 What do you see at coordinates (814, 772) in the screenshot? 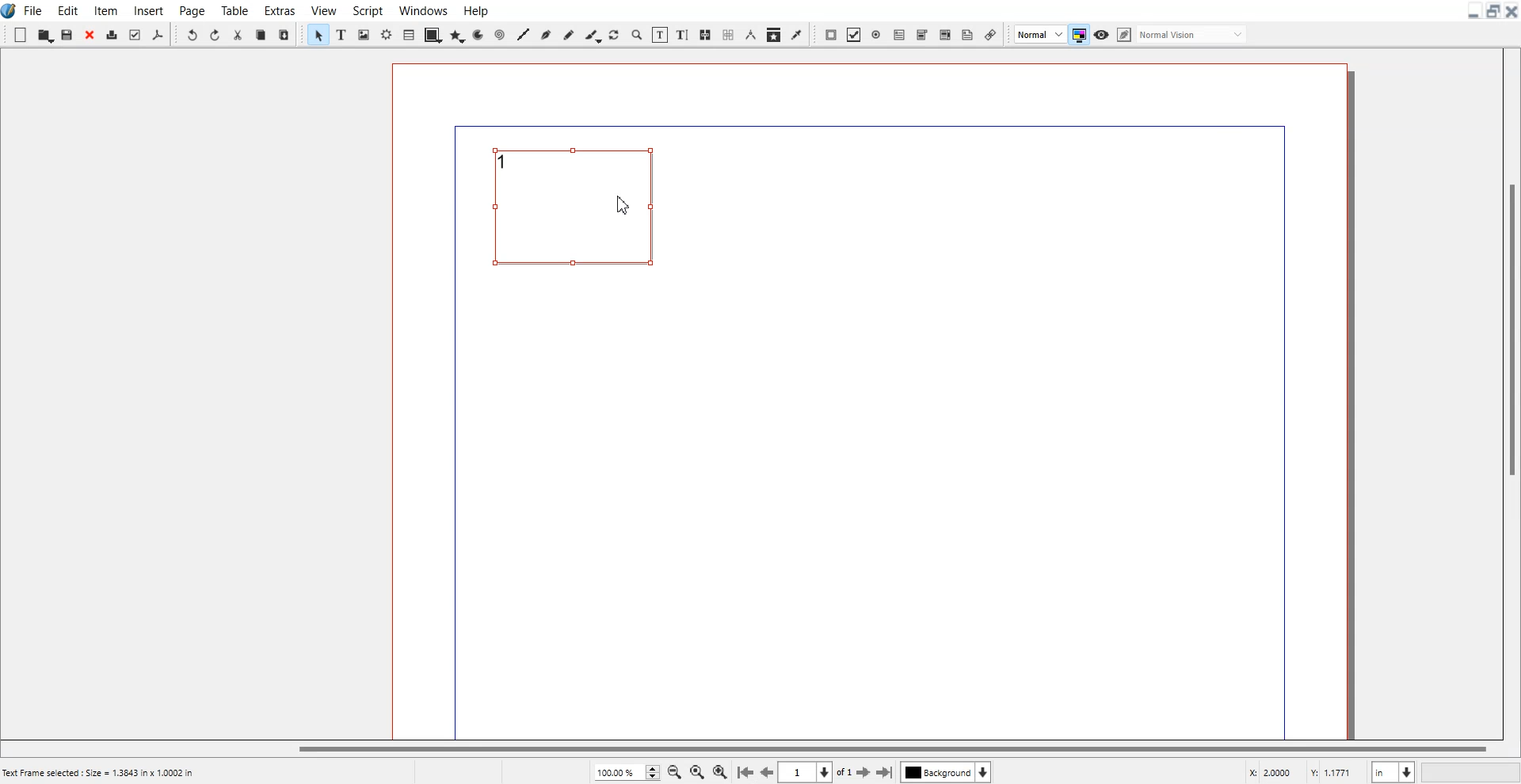
I see `Select current page` at bounding box center [814, 772].